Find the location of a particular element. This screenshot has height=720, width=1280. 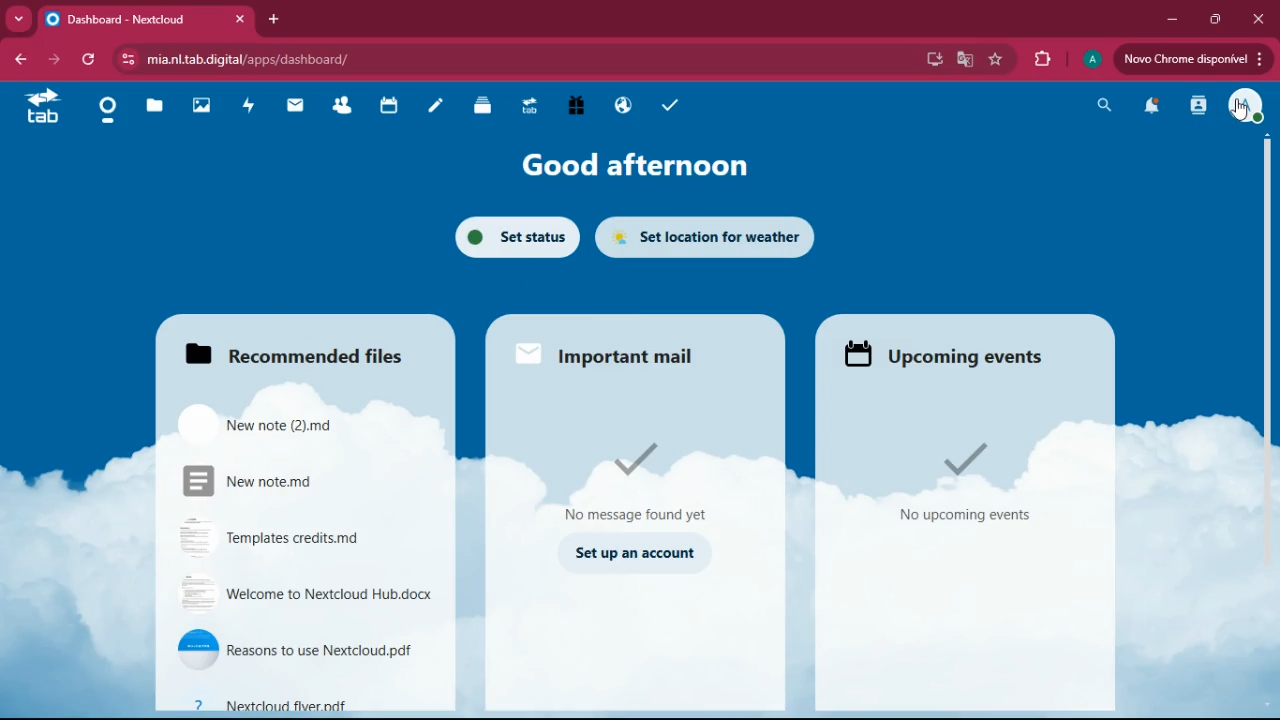

set up is located at coordinates (628, 554).